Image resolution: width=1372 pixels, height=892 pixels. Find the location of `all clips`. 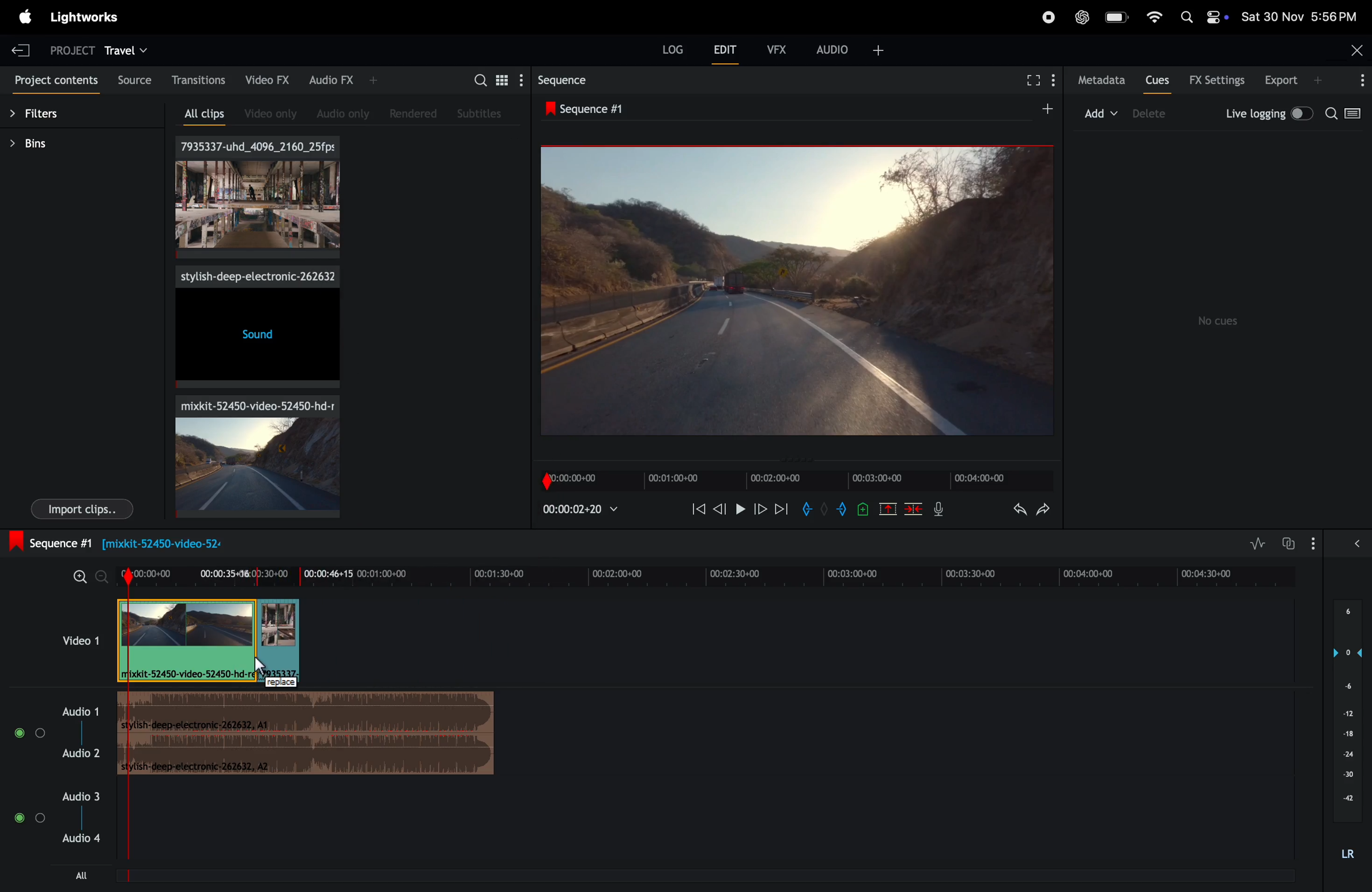

all clips is located at coordinates (198, 115).